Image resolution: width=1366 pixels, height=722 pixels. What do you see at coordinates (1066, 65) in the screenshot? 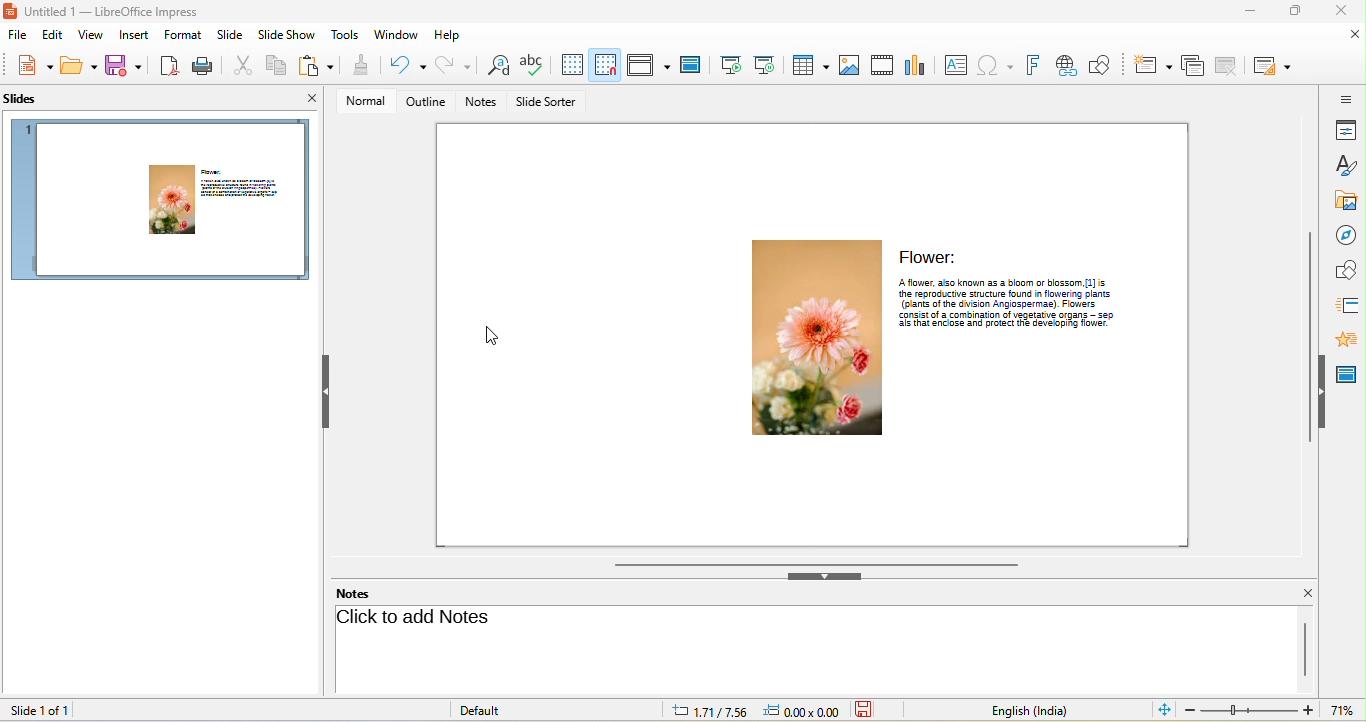
I see `hyperlink` at bounding box center [1066, 65].